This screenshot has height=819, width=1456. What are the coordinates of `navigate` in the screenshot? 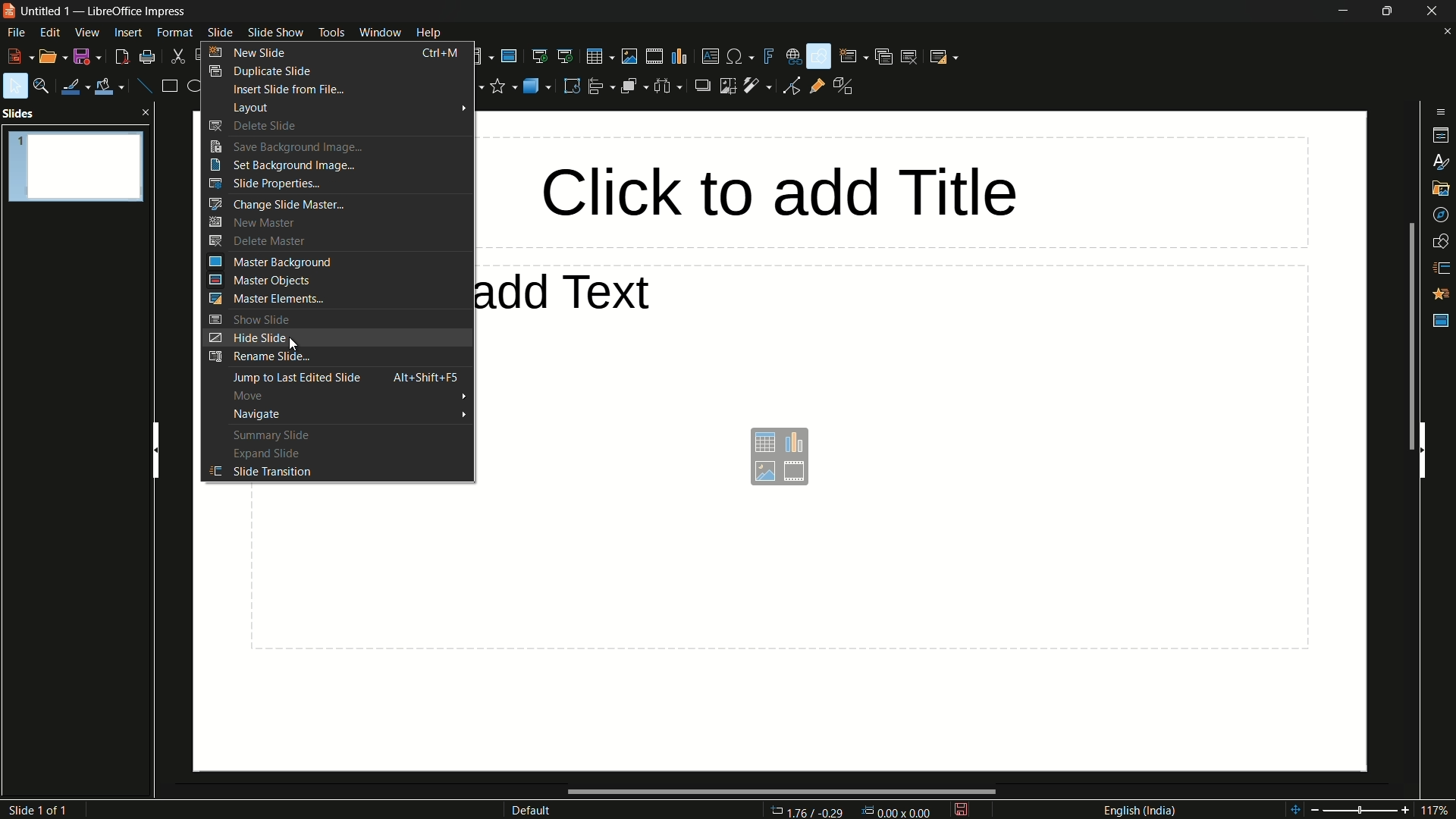 It's located at (351, 414).